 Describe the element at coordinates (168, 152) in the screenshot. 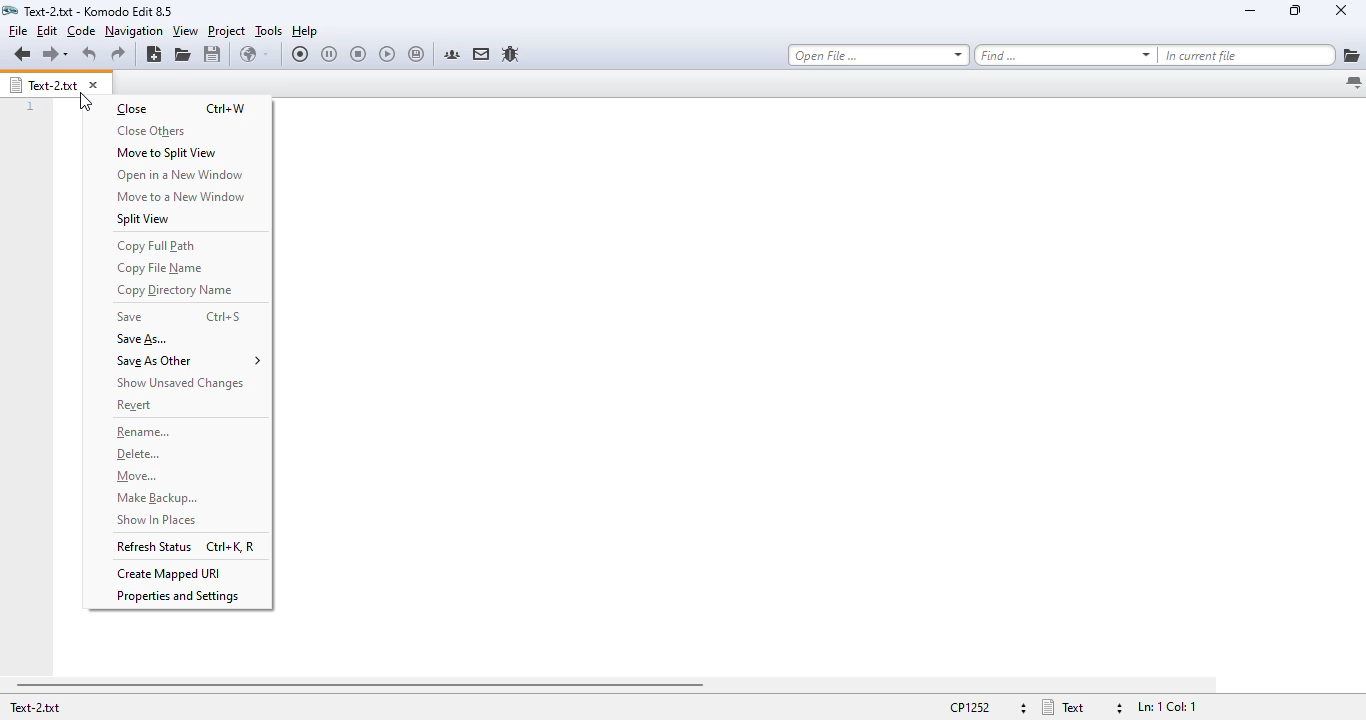

I see `move to split view` at that location.